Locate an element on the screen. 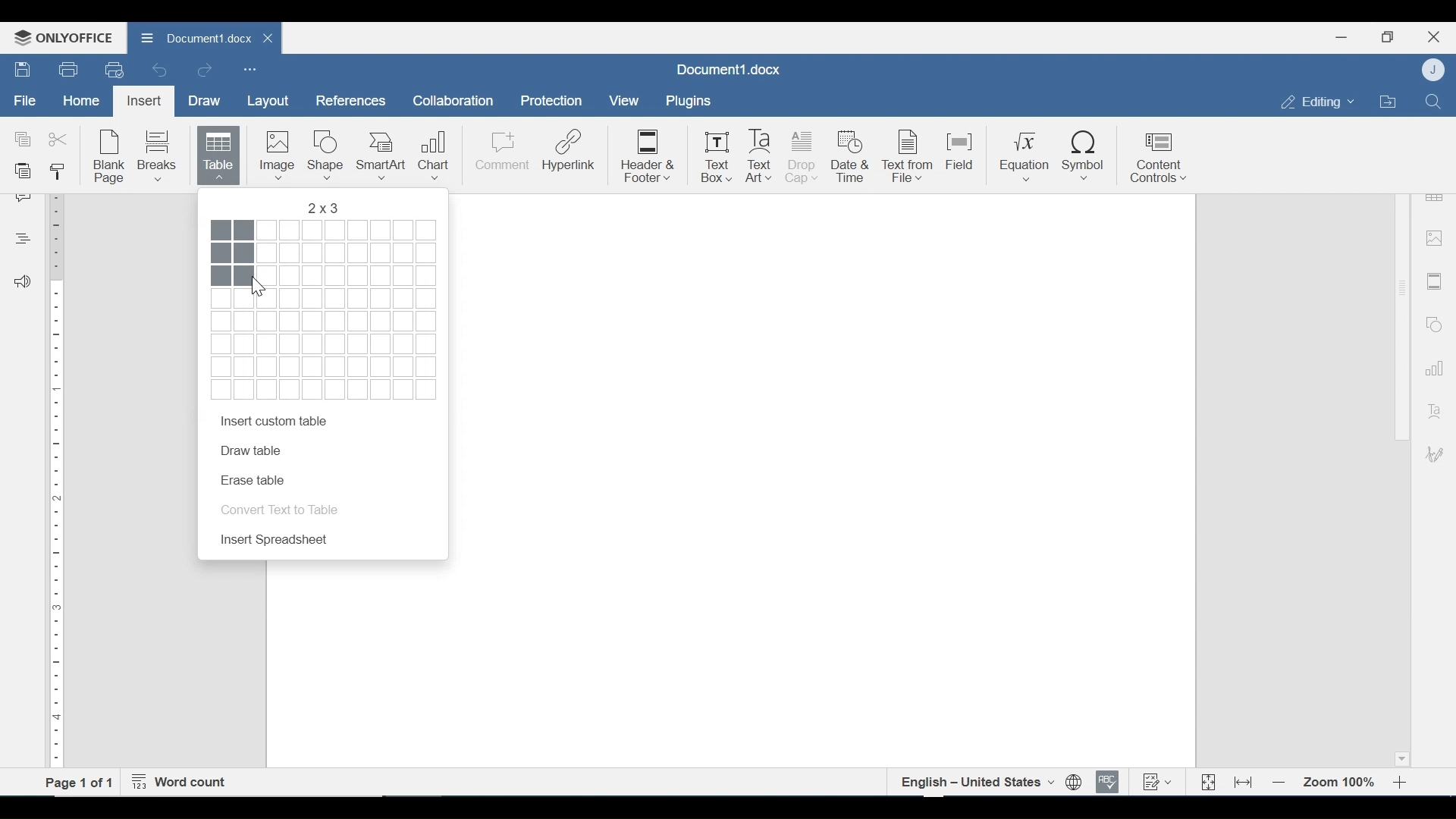  Undo is located at coordinates (160, 70).